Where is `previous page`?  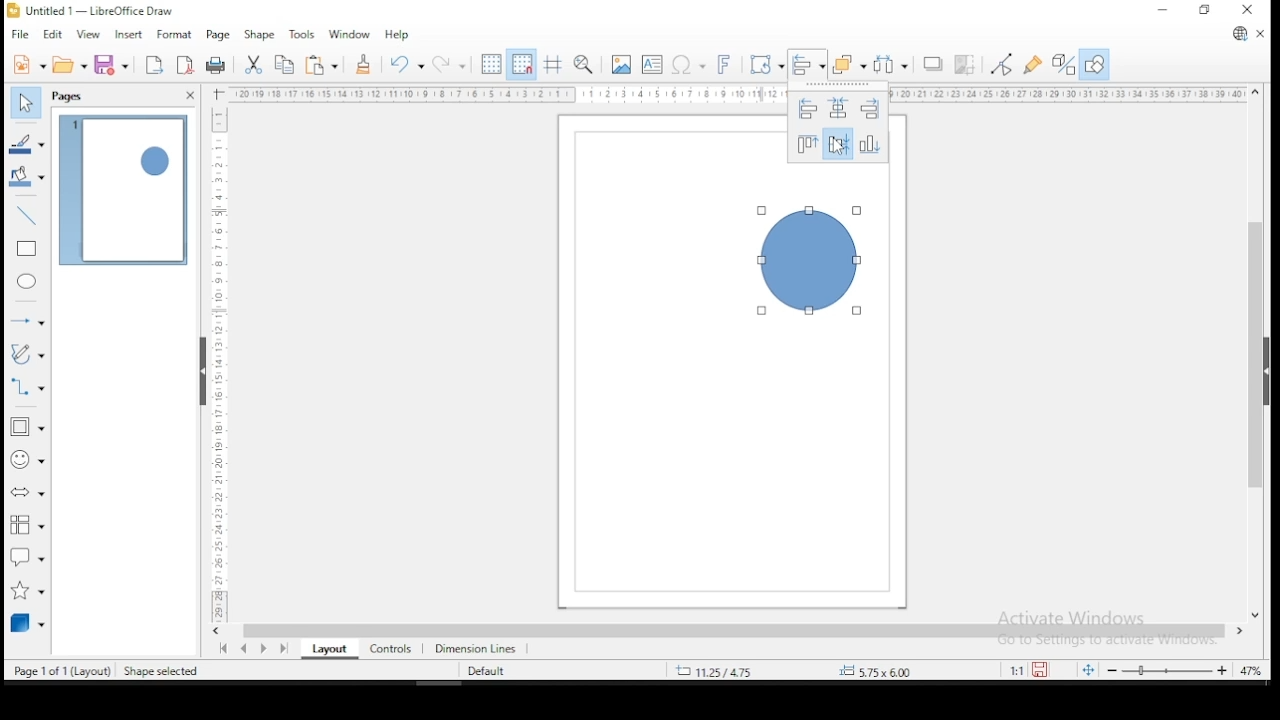
previous page is located at coordinates (247, 648).